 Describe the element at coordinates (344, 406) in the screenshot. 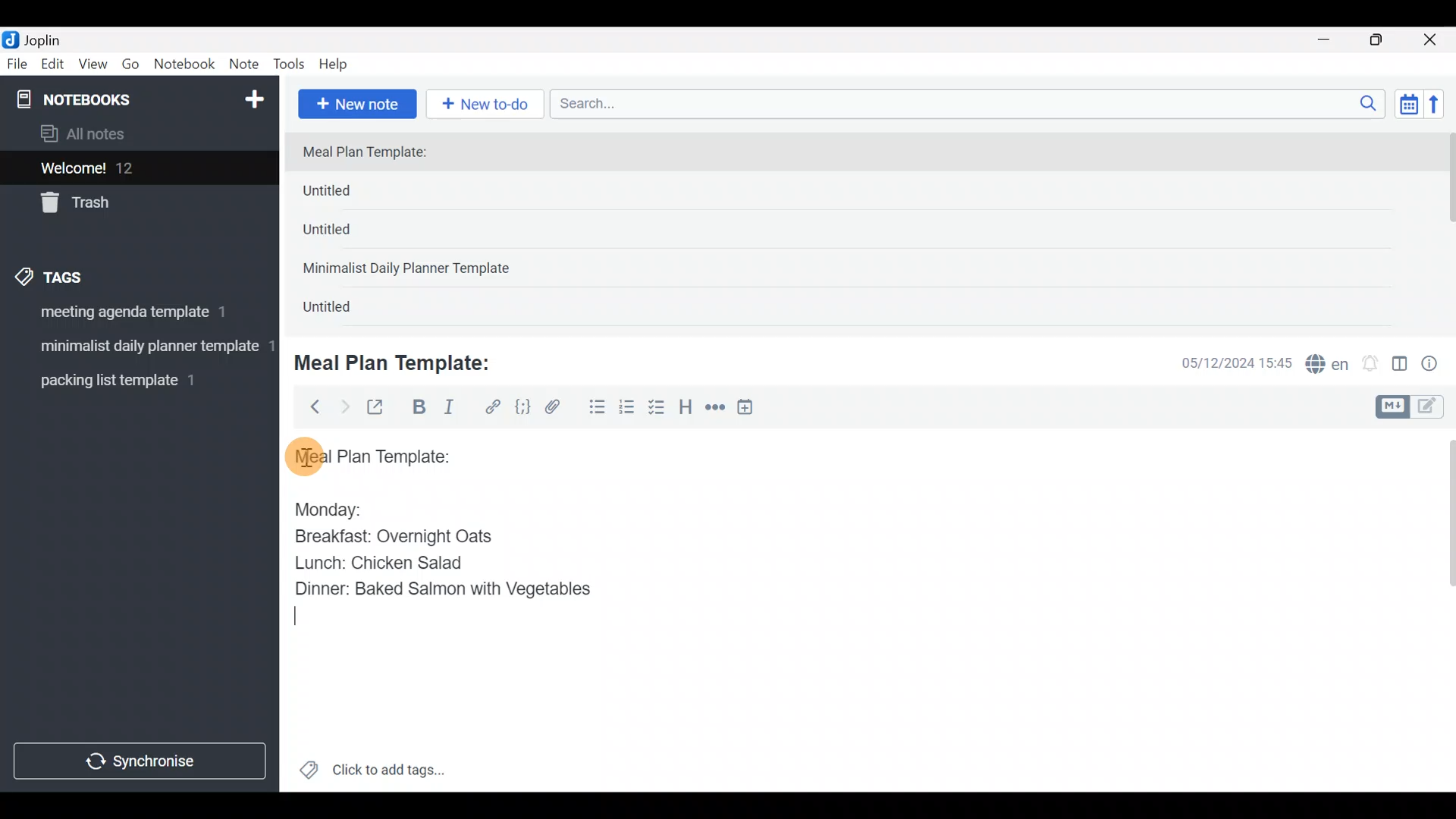

I see `Forward` at that location.